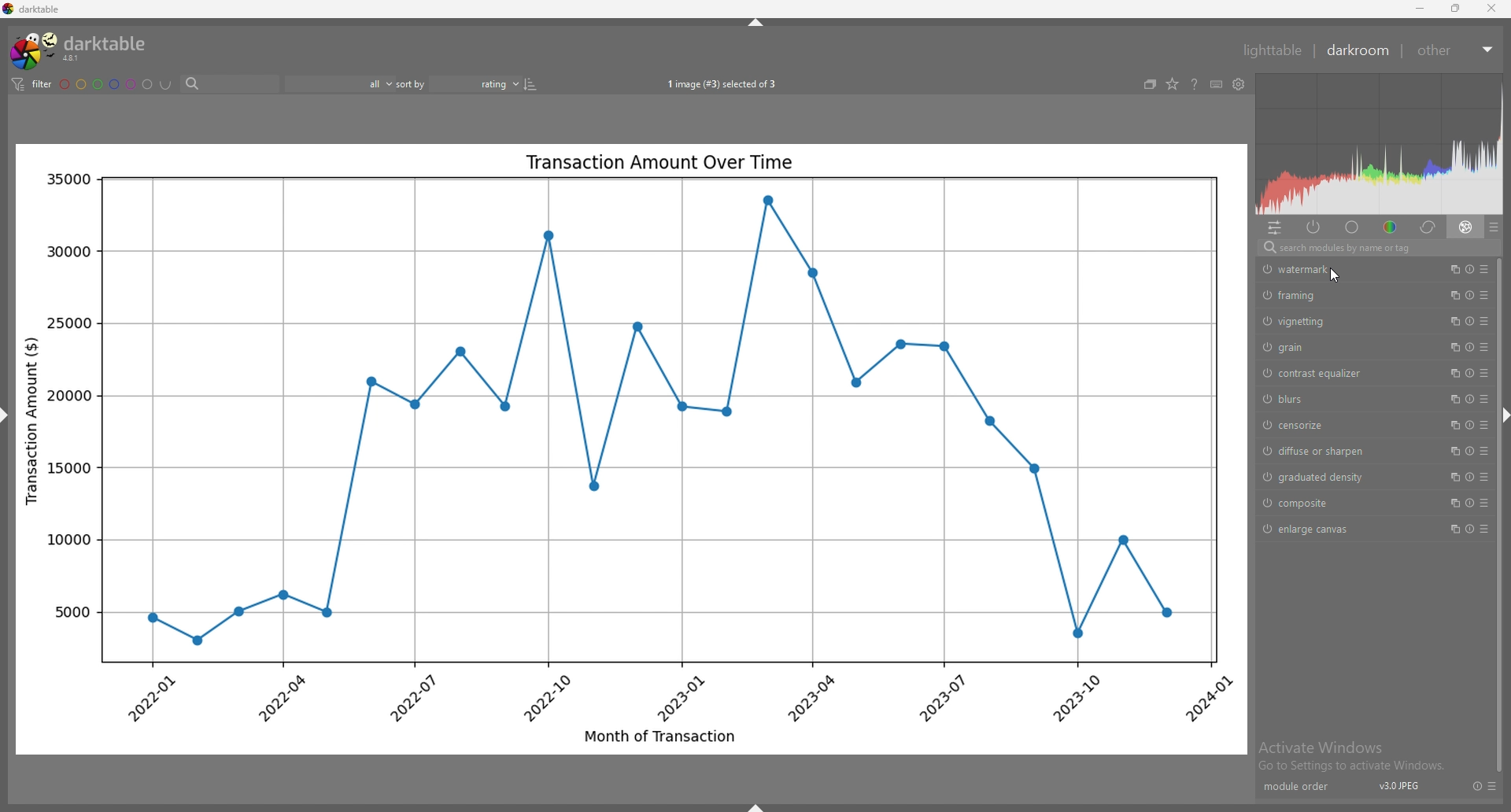  Describe the element at coordinates (1267, 347) in the screenshot. I see `switch off` at that location.